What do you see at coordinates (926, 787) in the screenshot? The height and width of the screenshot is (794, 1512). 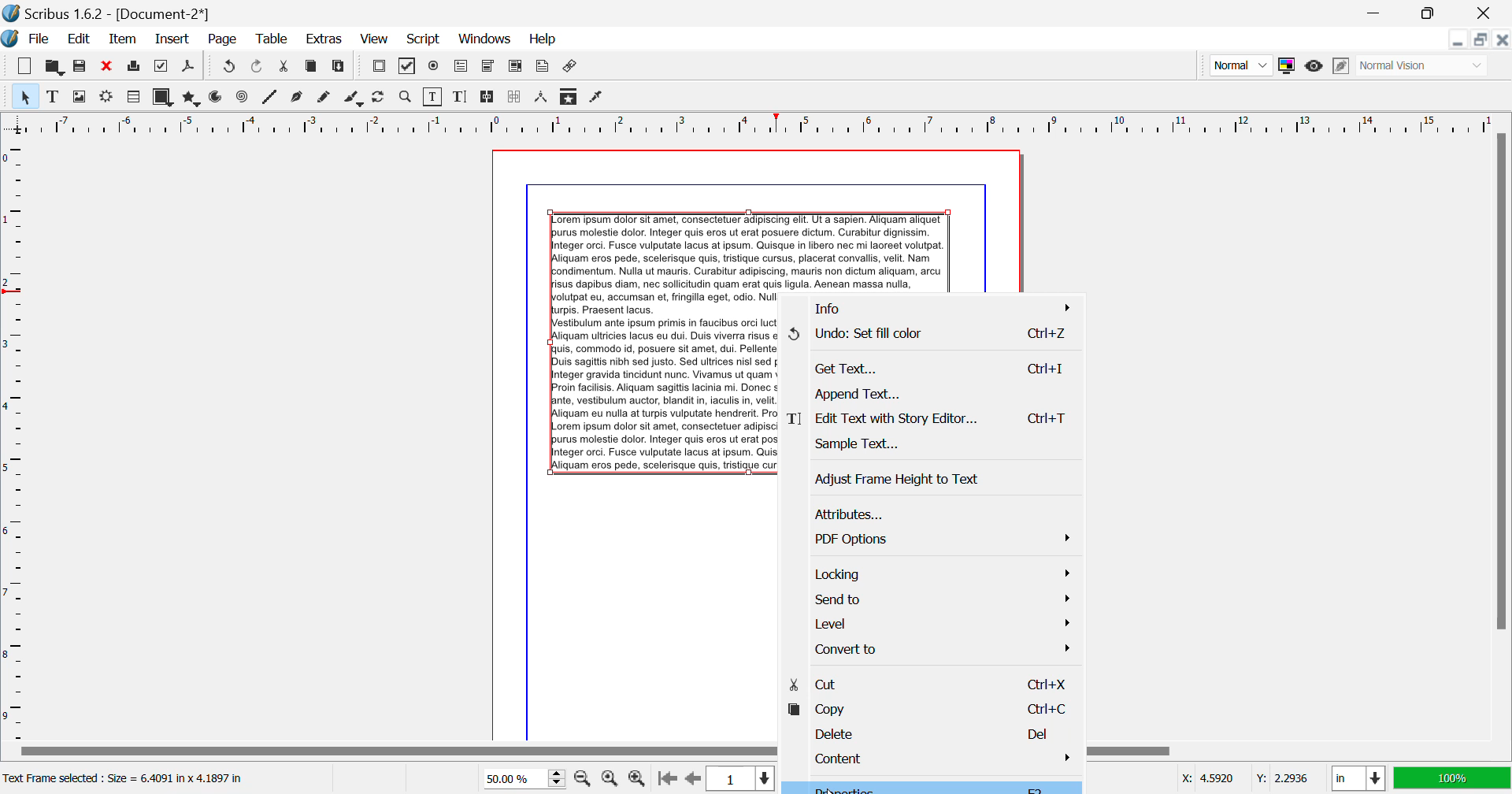 I see `Cursor on Properties` at bounding box center [926, 787].